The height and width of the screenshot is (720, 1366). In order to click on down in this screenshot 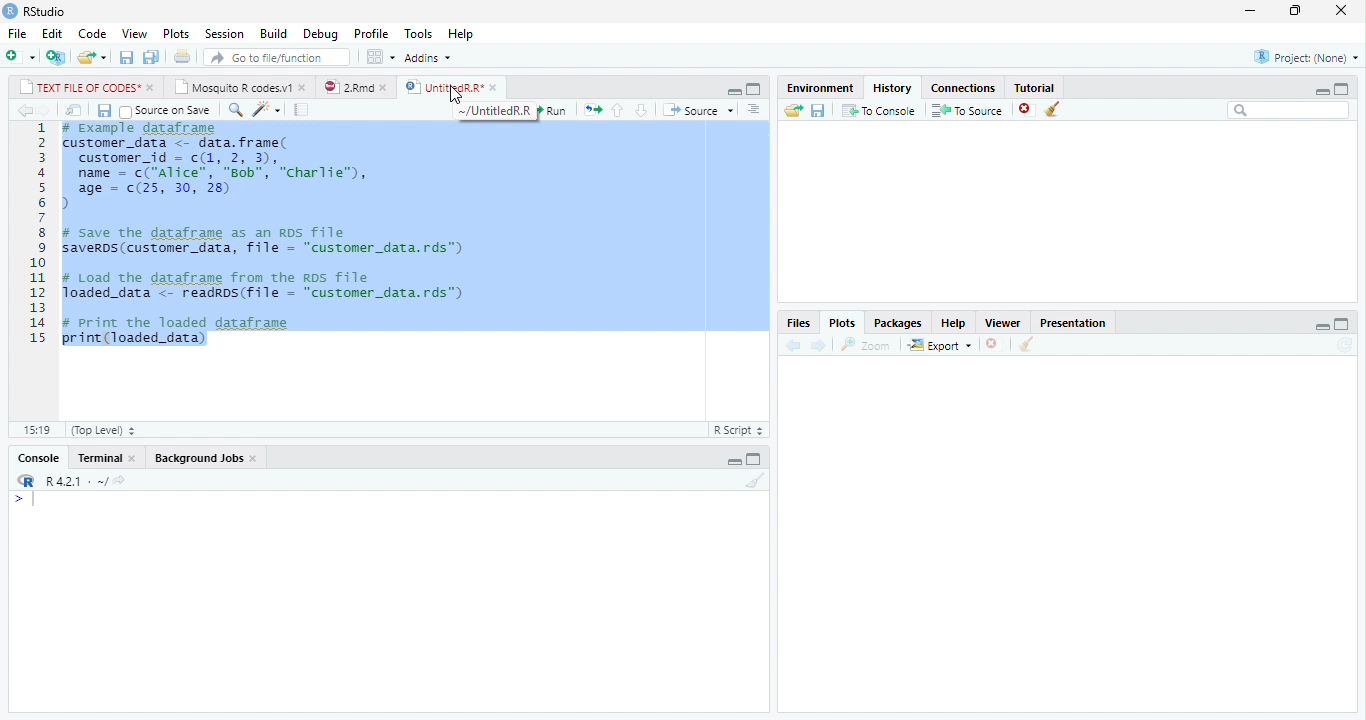, I will do `click(640, 111)`.